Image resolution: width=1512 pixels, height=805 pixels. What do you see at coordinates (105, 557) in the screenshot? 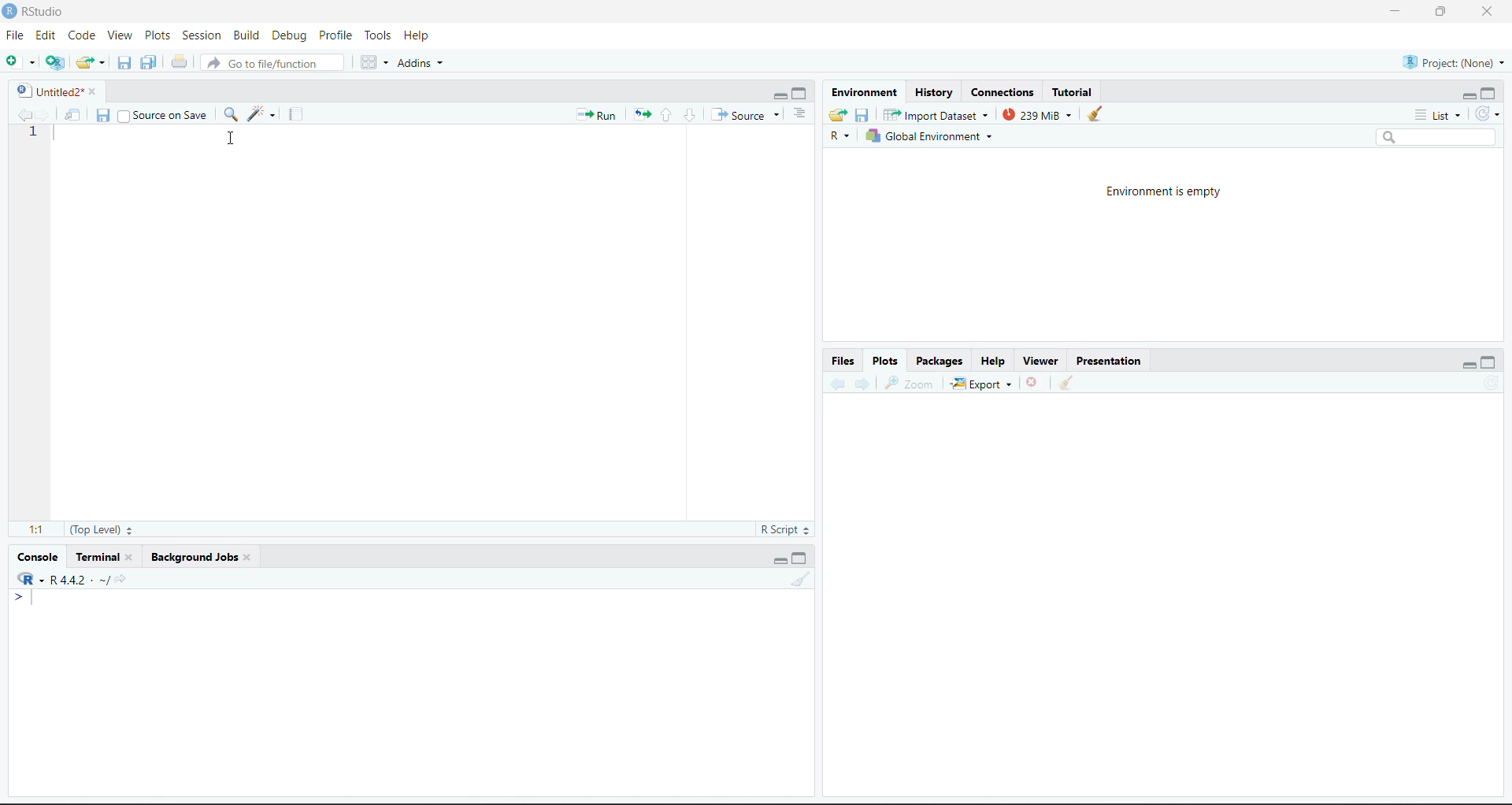
I see `Terminal` at bounding box center [105, 557].